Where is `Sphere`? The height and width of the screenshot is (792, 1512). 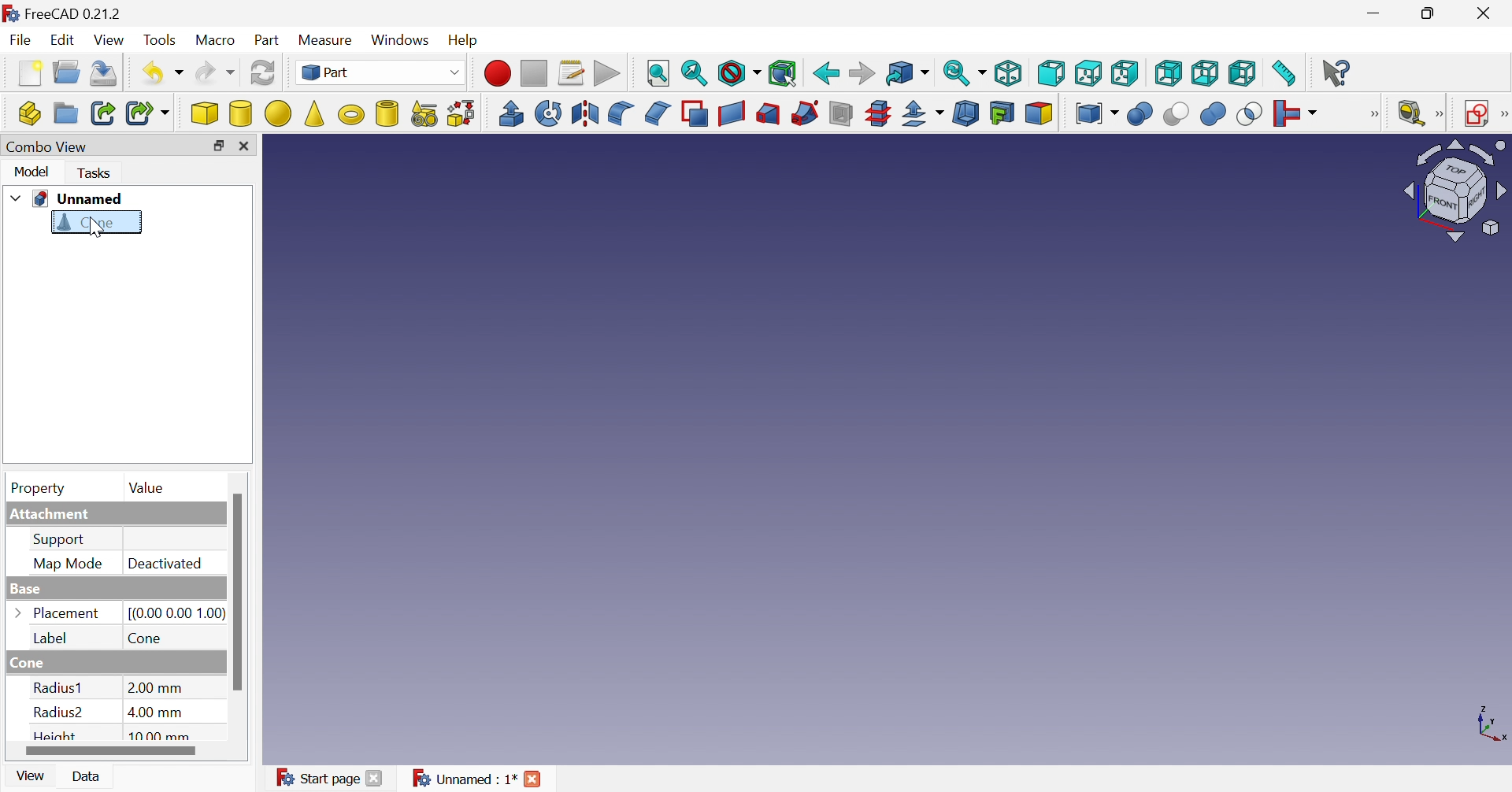
Sphere is located at coordinates (276, 112).